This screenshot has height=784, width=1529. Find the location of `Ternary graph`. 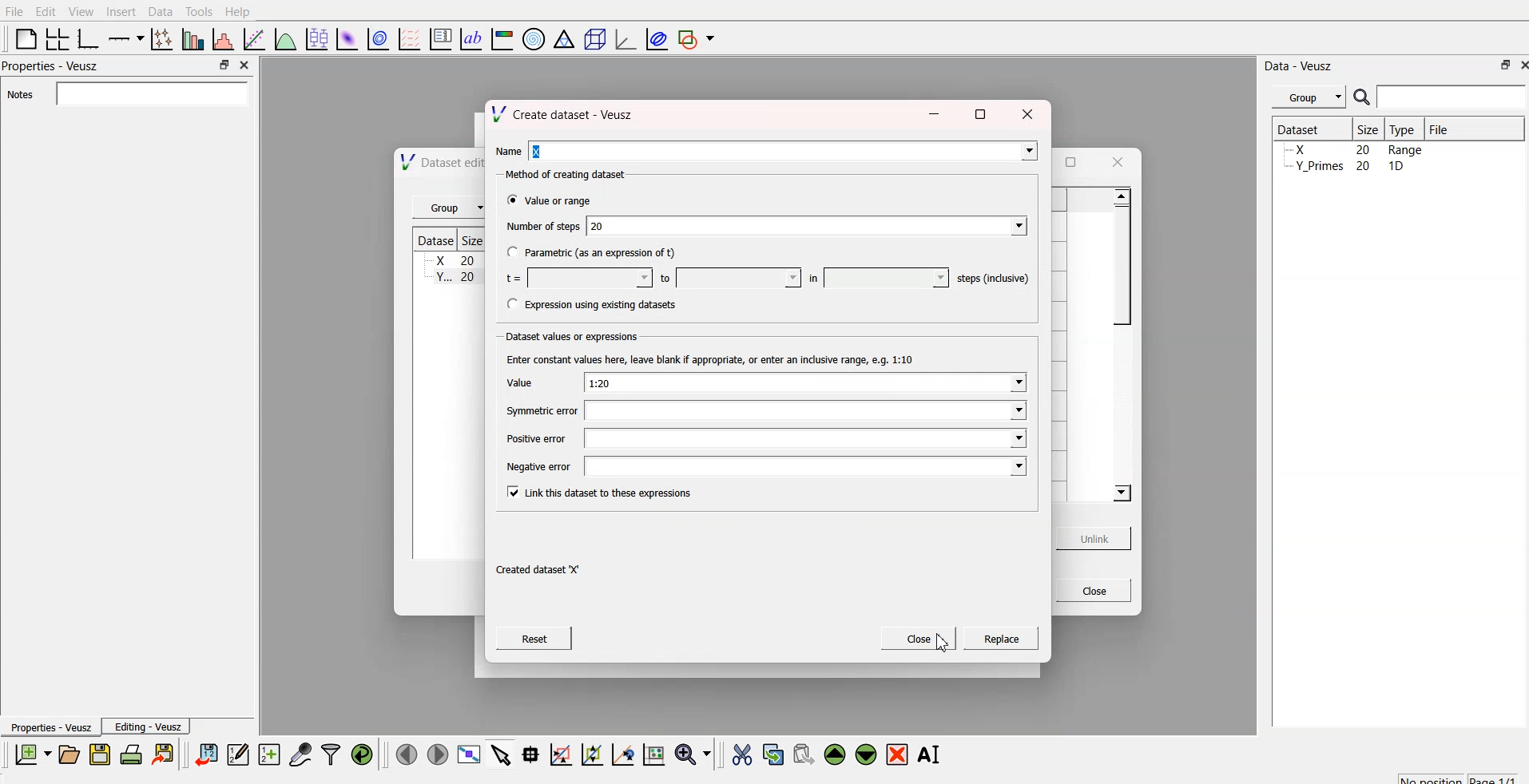

Ternary graph is located at coordinates (565, 38).